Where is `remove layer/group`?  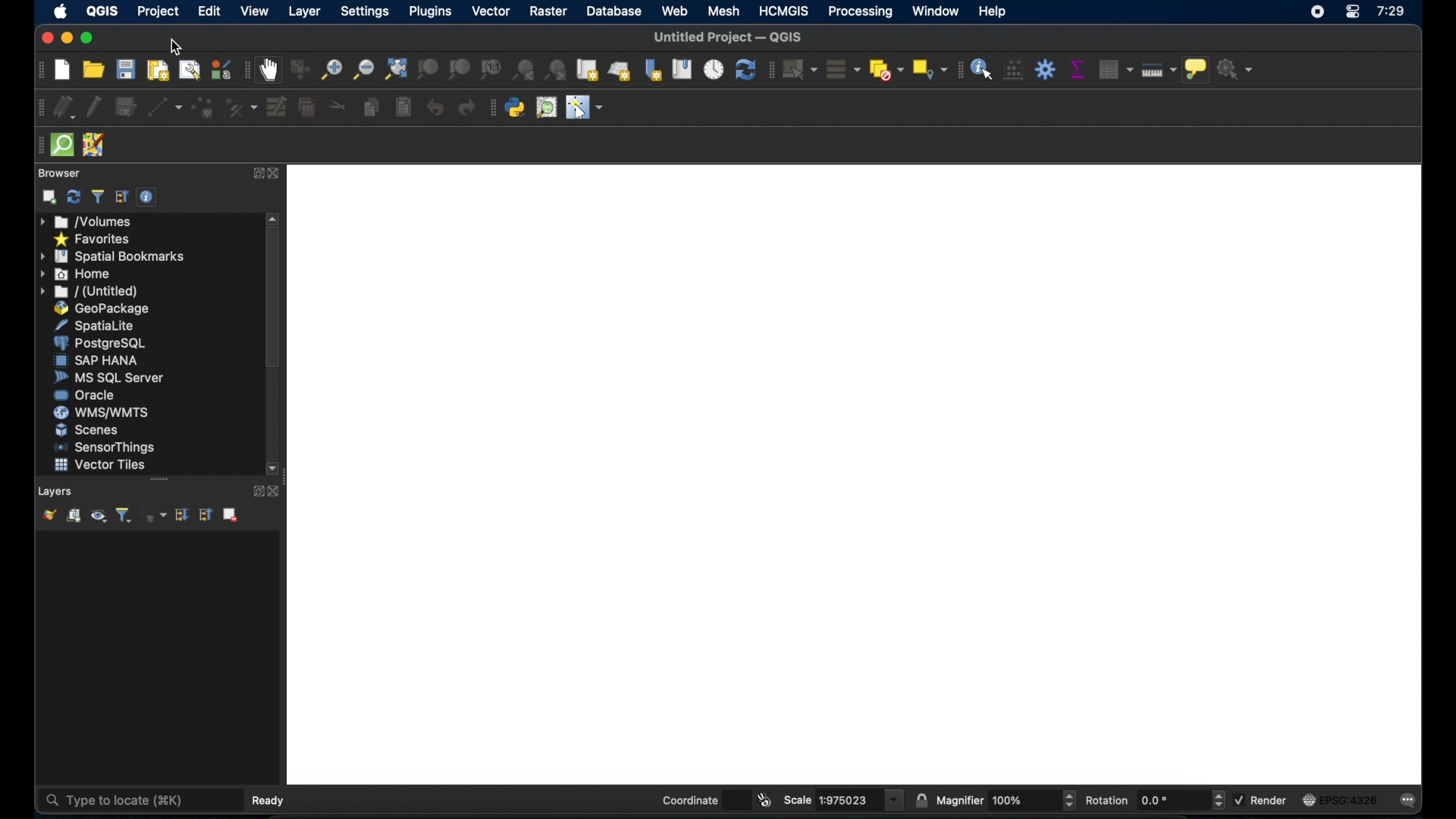
remove layer/group is located at coordinates (231, 513).